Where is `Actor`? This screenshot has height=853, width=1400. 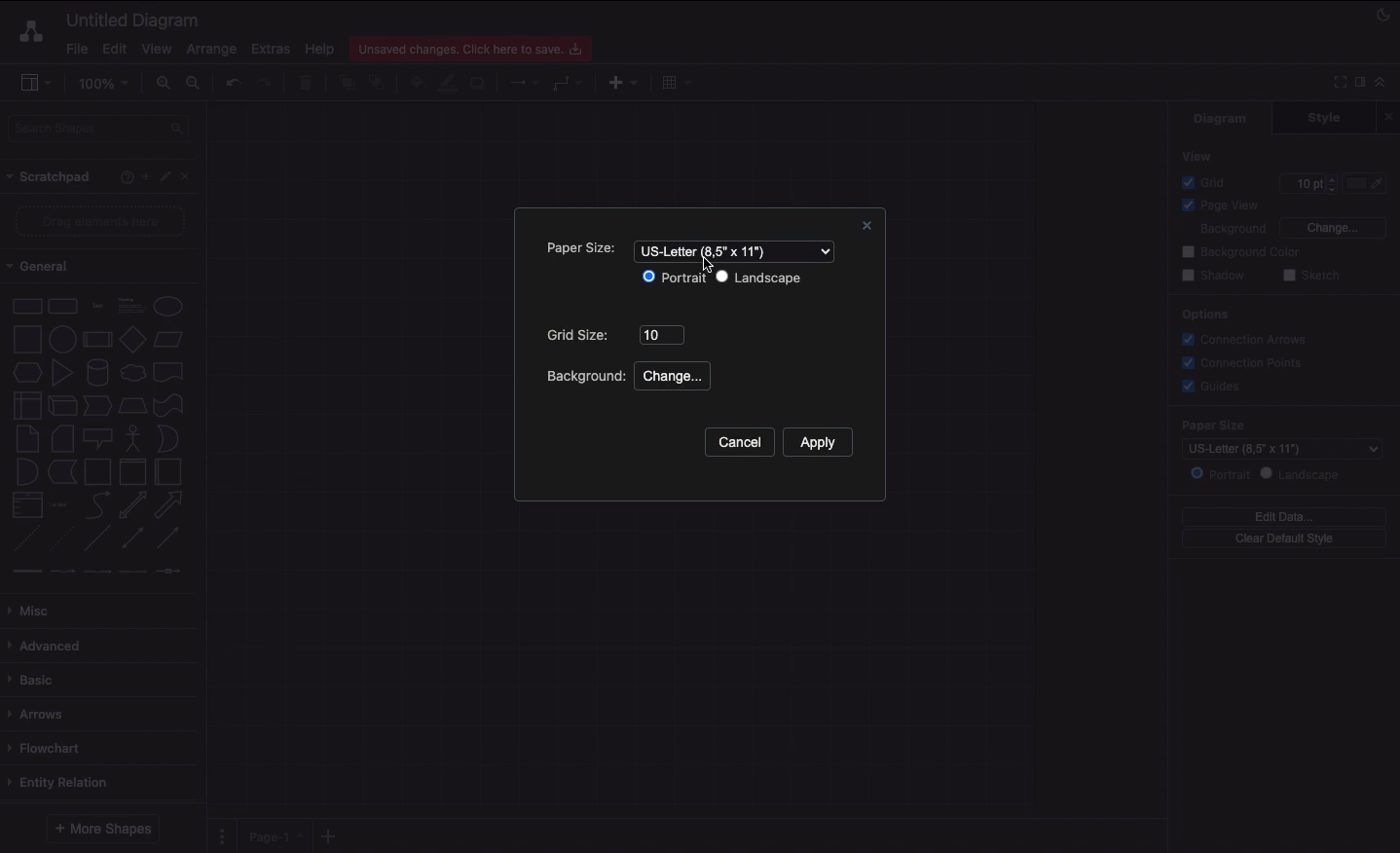
Actor is located at coordinates (133, 436).